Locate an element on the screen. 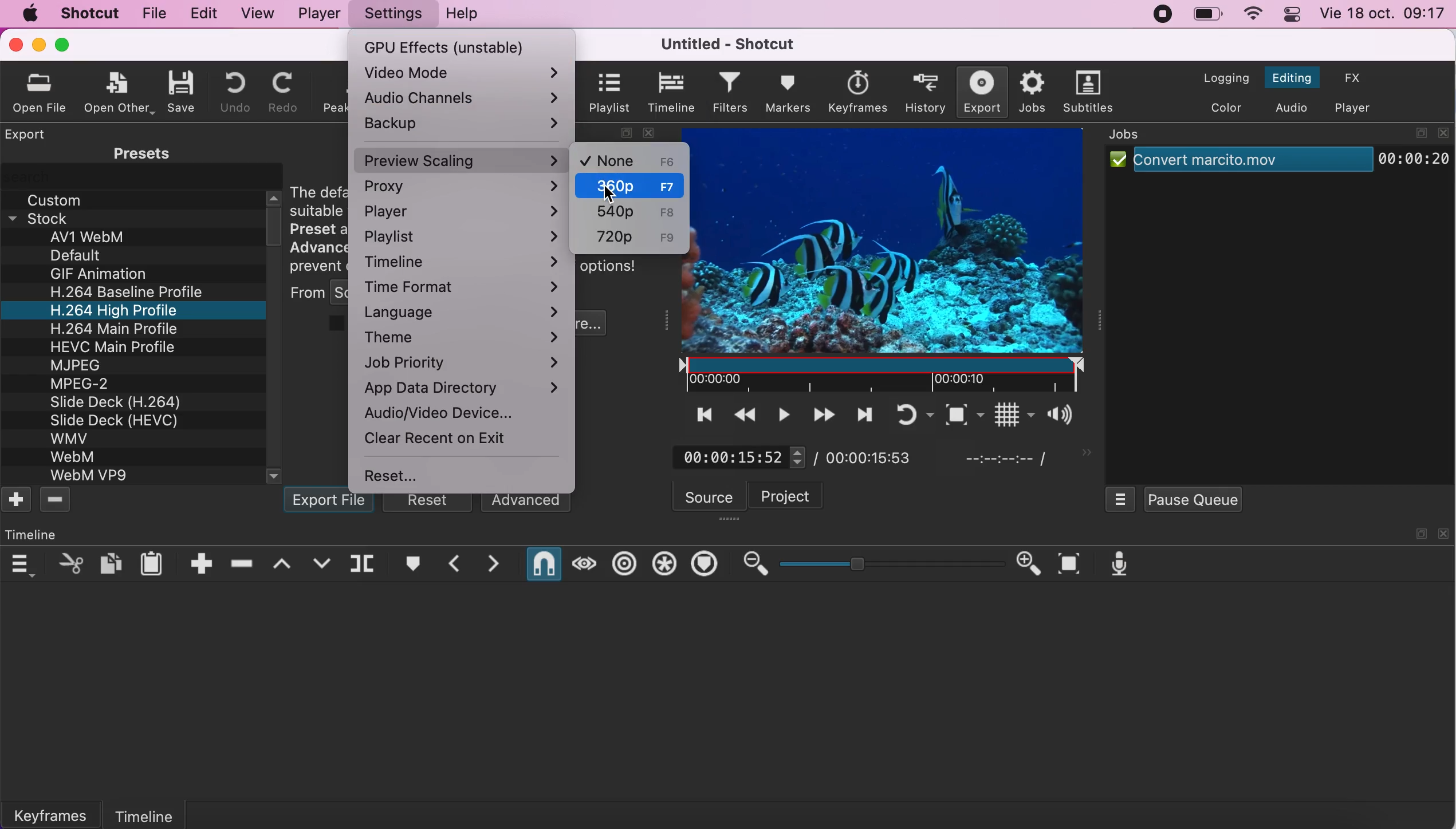 Image resolution: width=1456 pixels, height=829 pixels. gpu effects (unstable) is located at coordinates (459, 44).